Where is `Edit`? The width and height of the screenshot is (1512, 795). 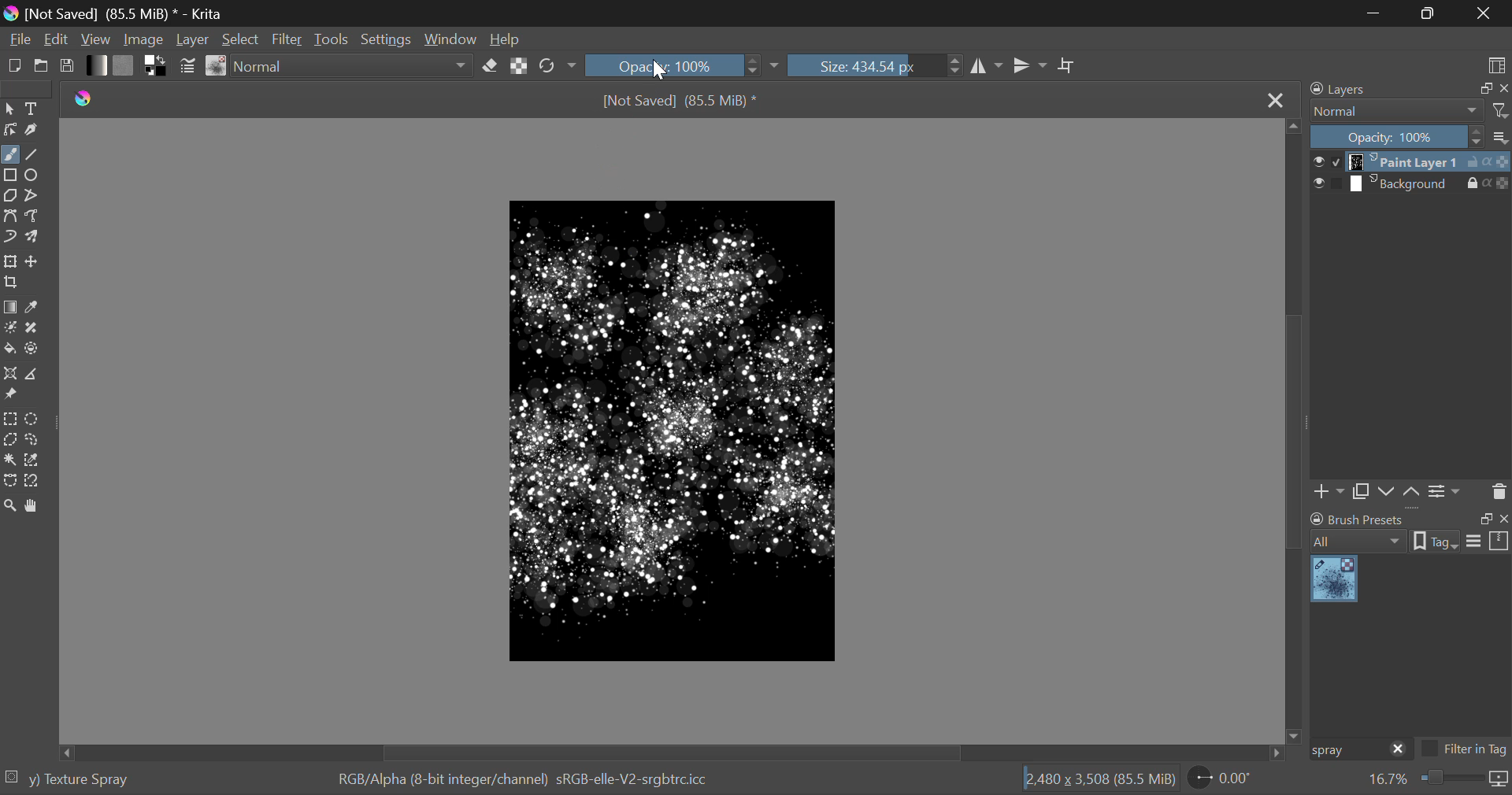 Edit is located at coordinates (57, 39).